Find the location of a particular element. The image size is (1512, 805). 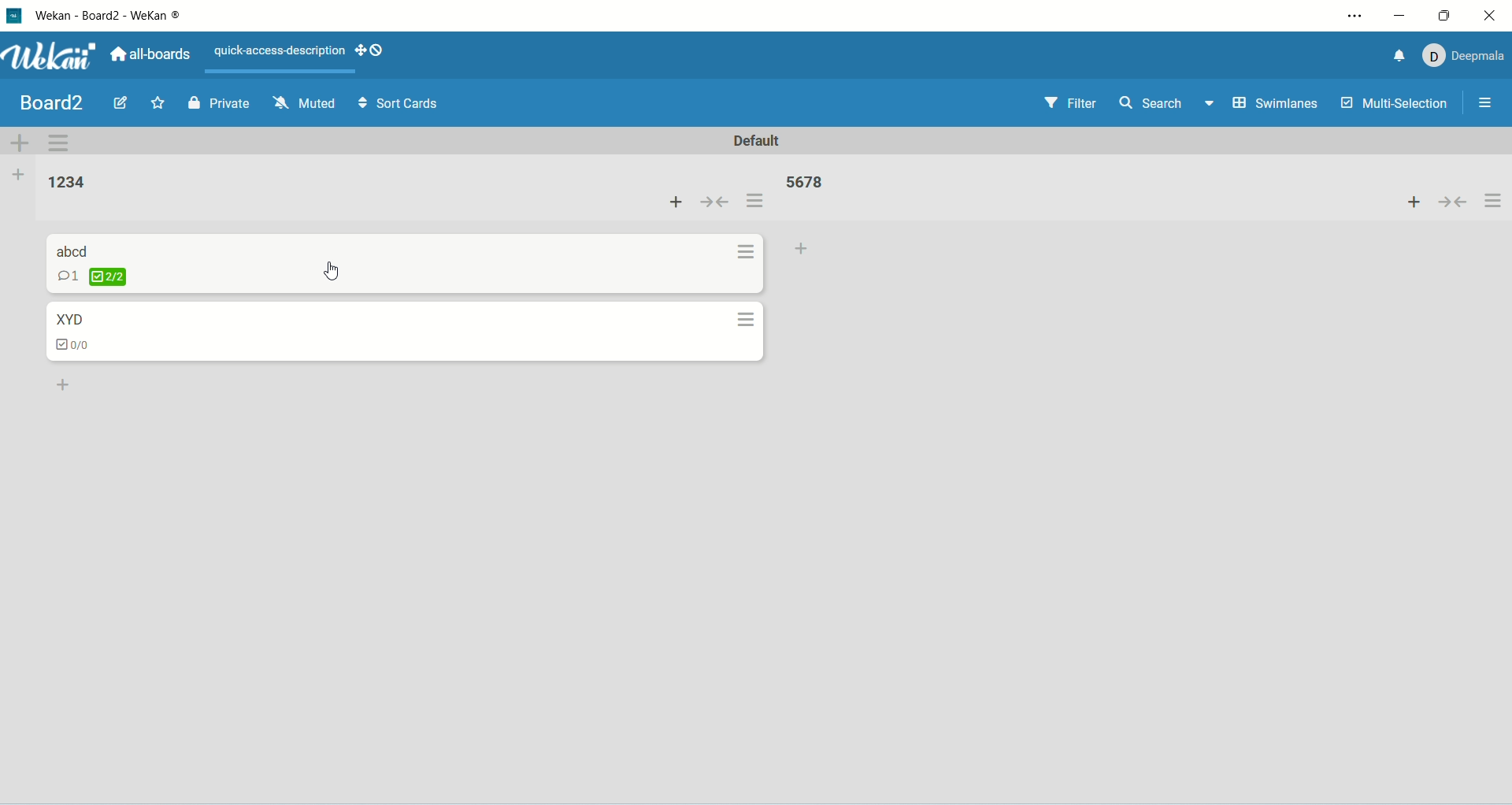

cursor is located at coordinates (332, 271).